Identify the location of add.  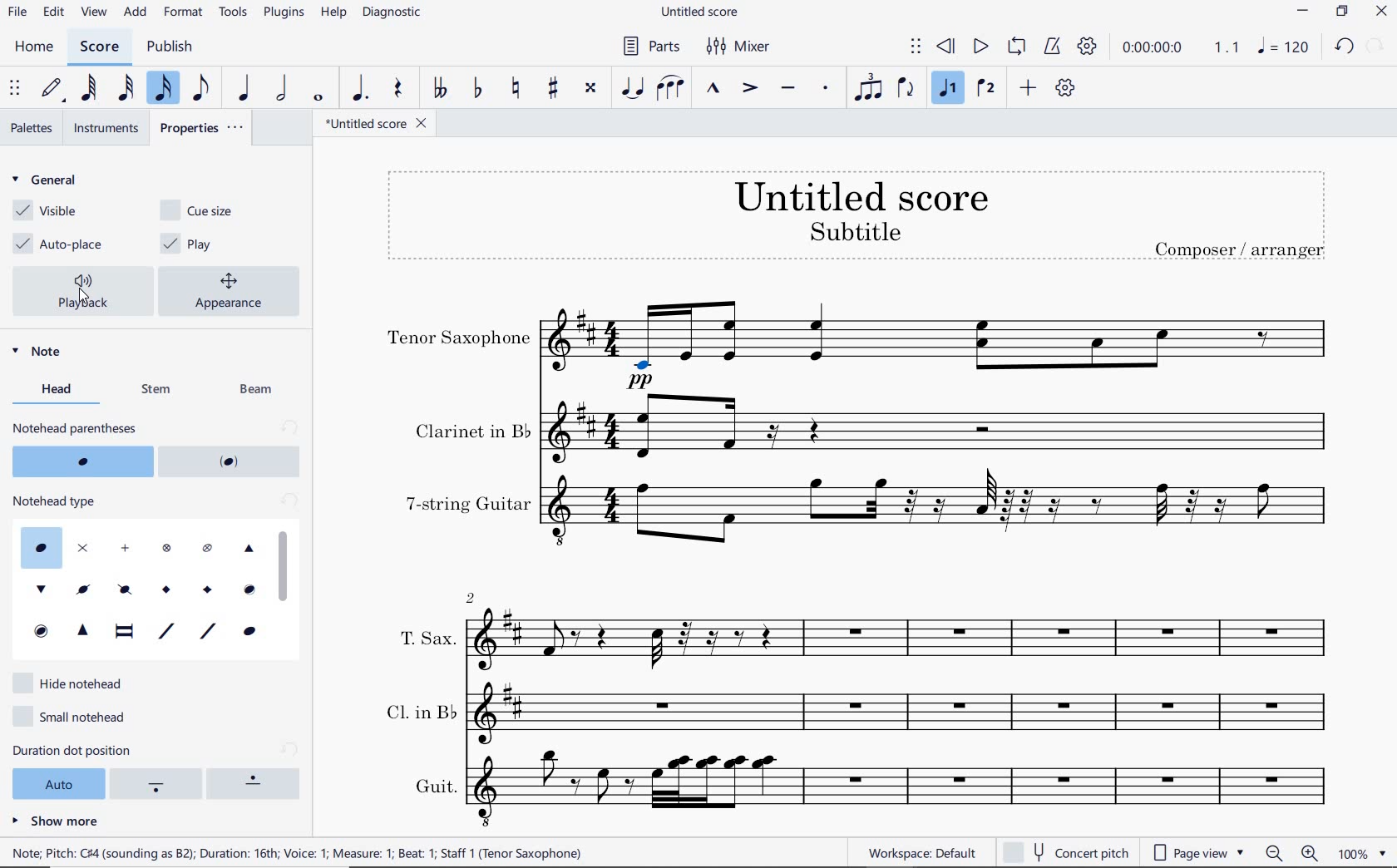
(136, 12).